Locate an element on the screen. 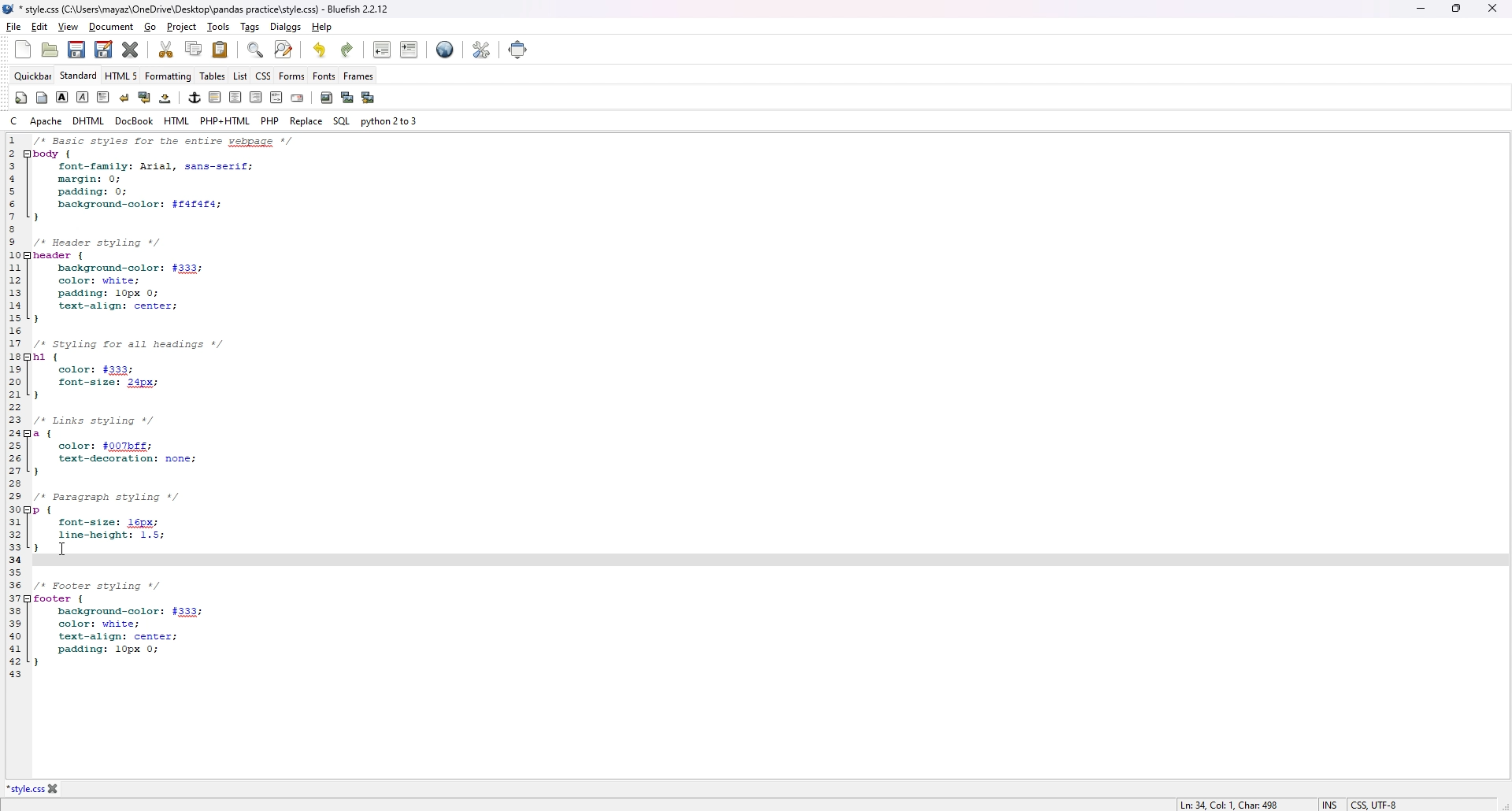 The height and width of the screenshot is (811, 1512). file is located at coordinates (13, 27).